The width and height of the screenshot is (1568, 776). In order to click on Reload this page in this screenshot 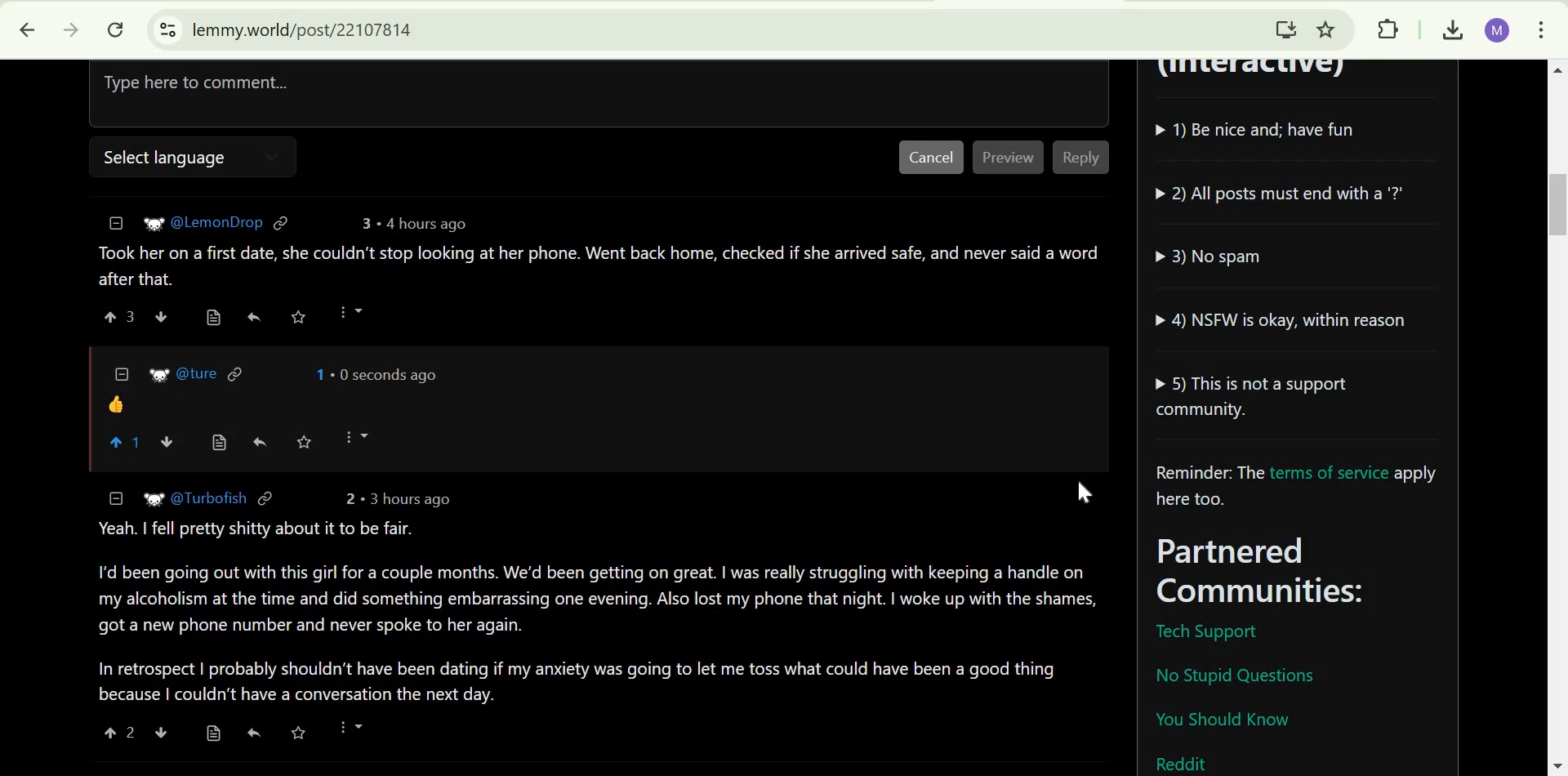, I will do `click(117, 29)`.